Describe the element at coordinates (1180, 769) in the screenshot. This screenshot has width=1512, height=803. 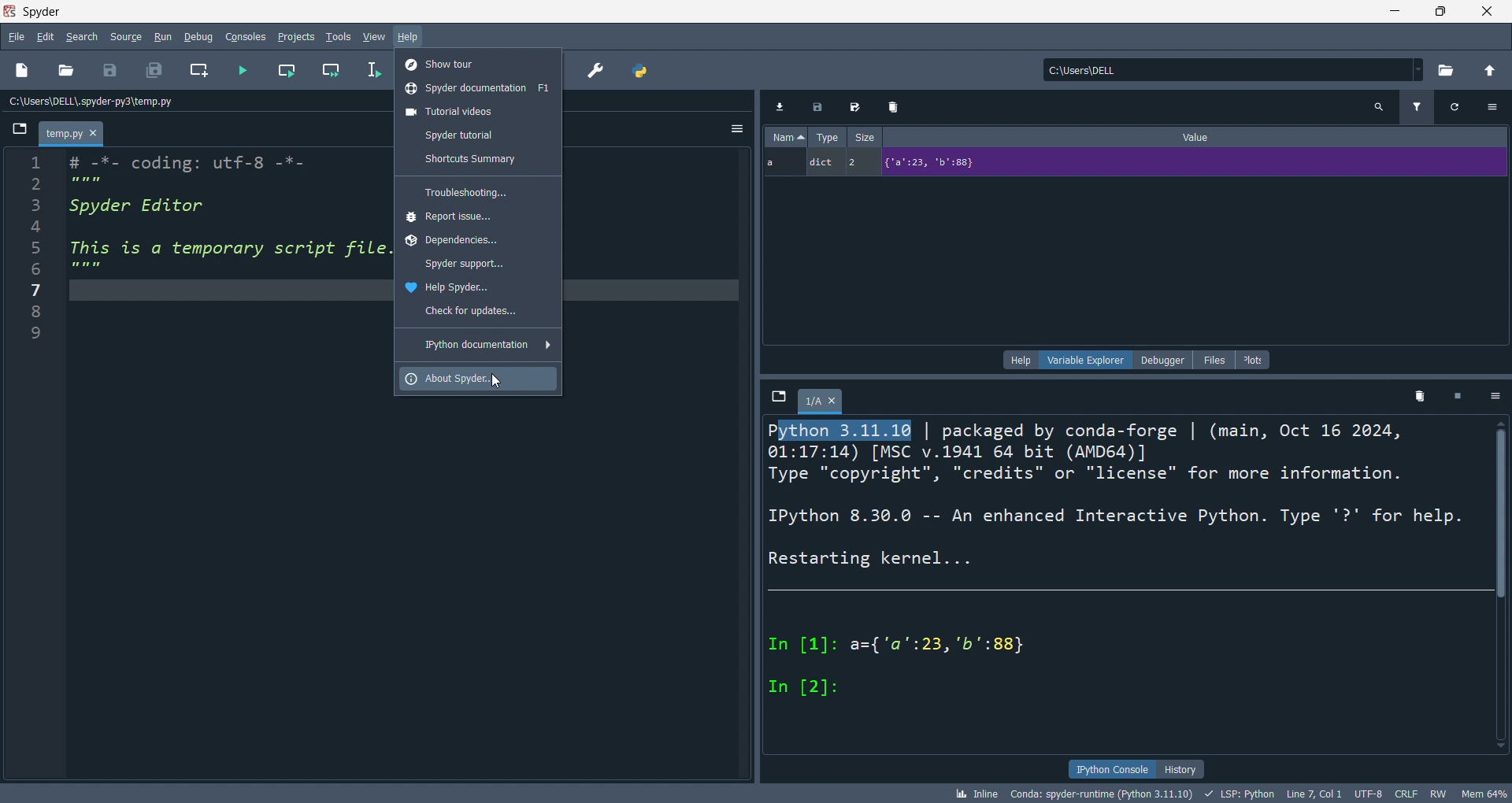
I see `history` at that location.